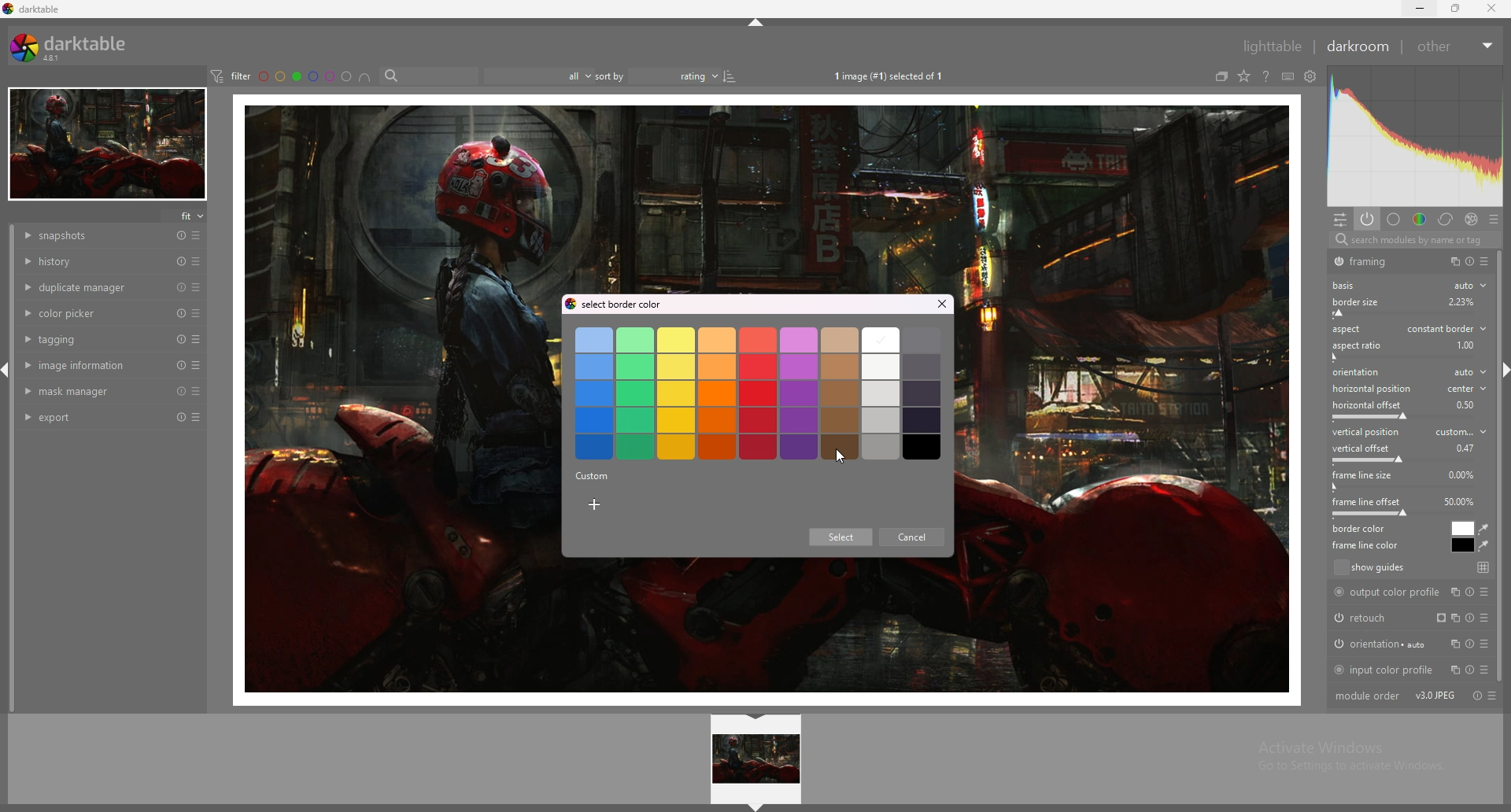  I want to click on history, so click(93, 260).